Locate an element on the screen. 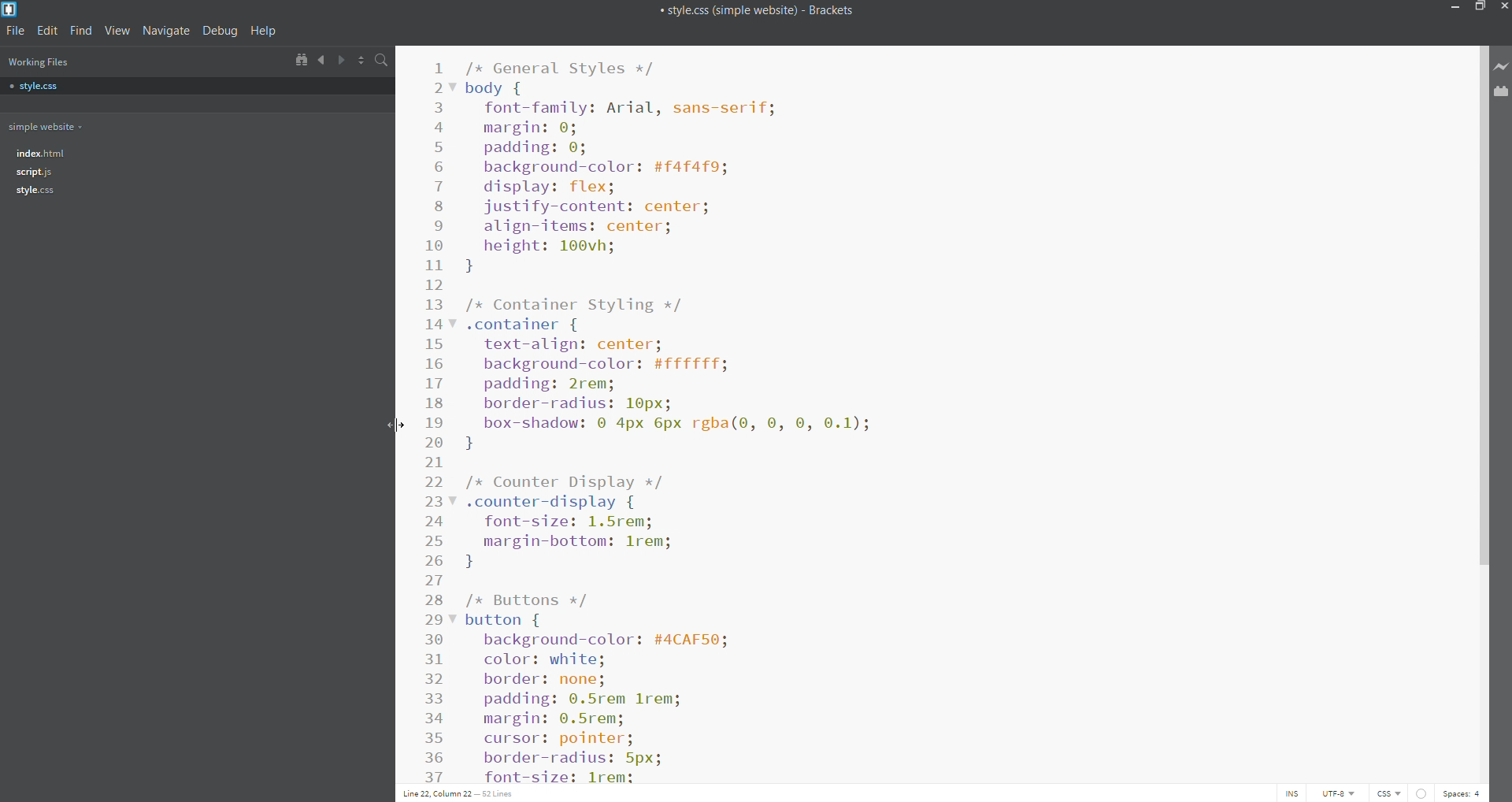 The image size is (1512, 802). live preview is located at coordinates (1503, 66).